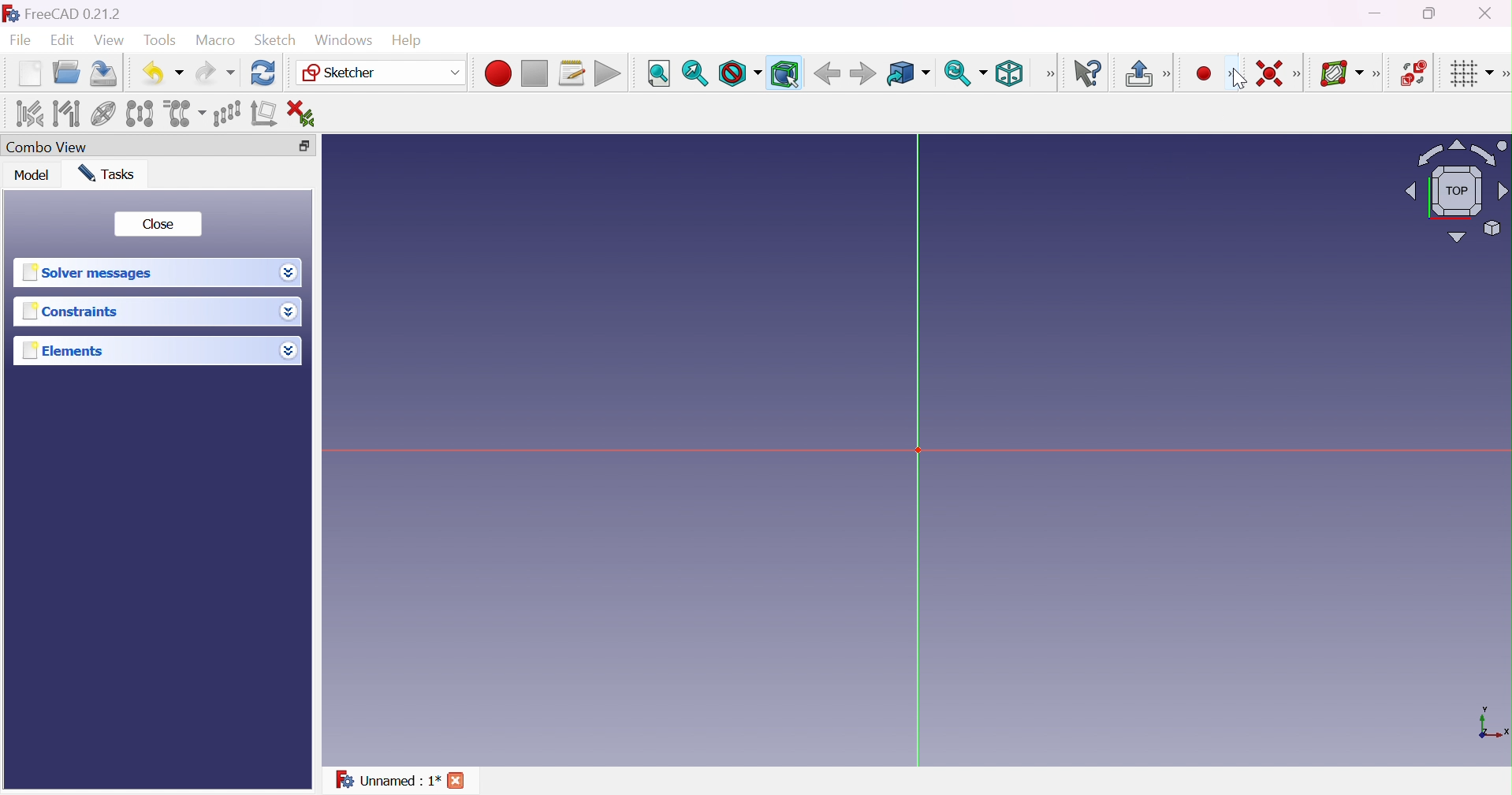 Image resolution: width=1512 pixels, height=795 pixels. Describe the element at coordinates (1415, 73) in the screenshot. I see `Switch virtual space` at that location.